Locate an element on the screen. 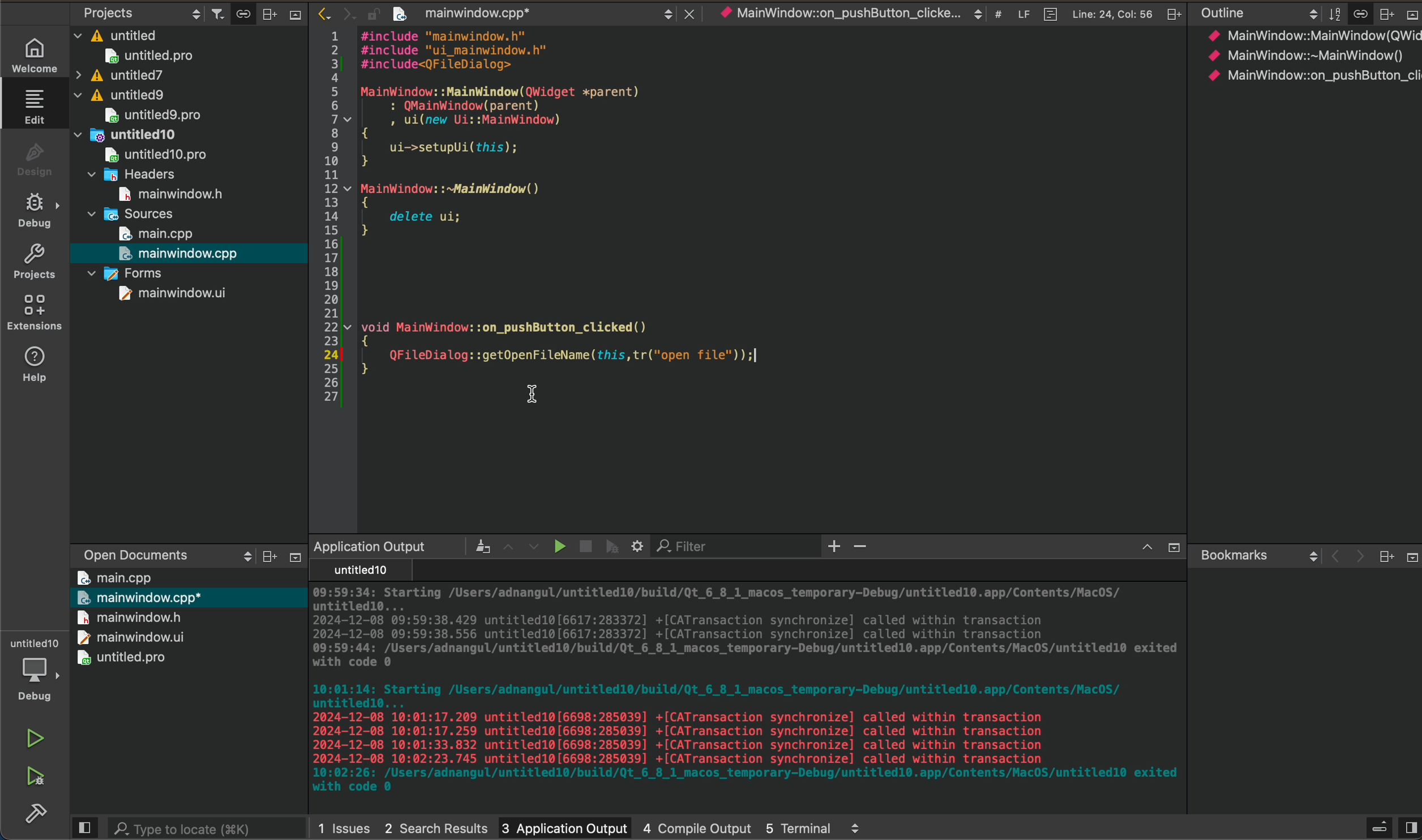  home is located at coordinates (31, 54).